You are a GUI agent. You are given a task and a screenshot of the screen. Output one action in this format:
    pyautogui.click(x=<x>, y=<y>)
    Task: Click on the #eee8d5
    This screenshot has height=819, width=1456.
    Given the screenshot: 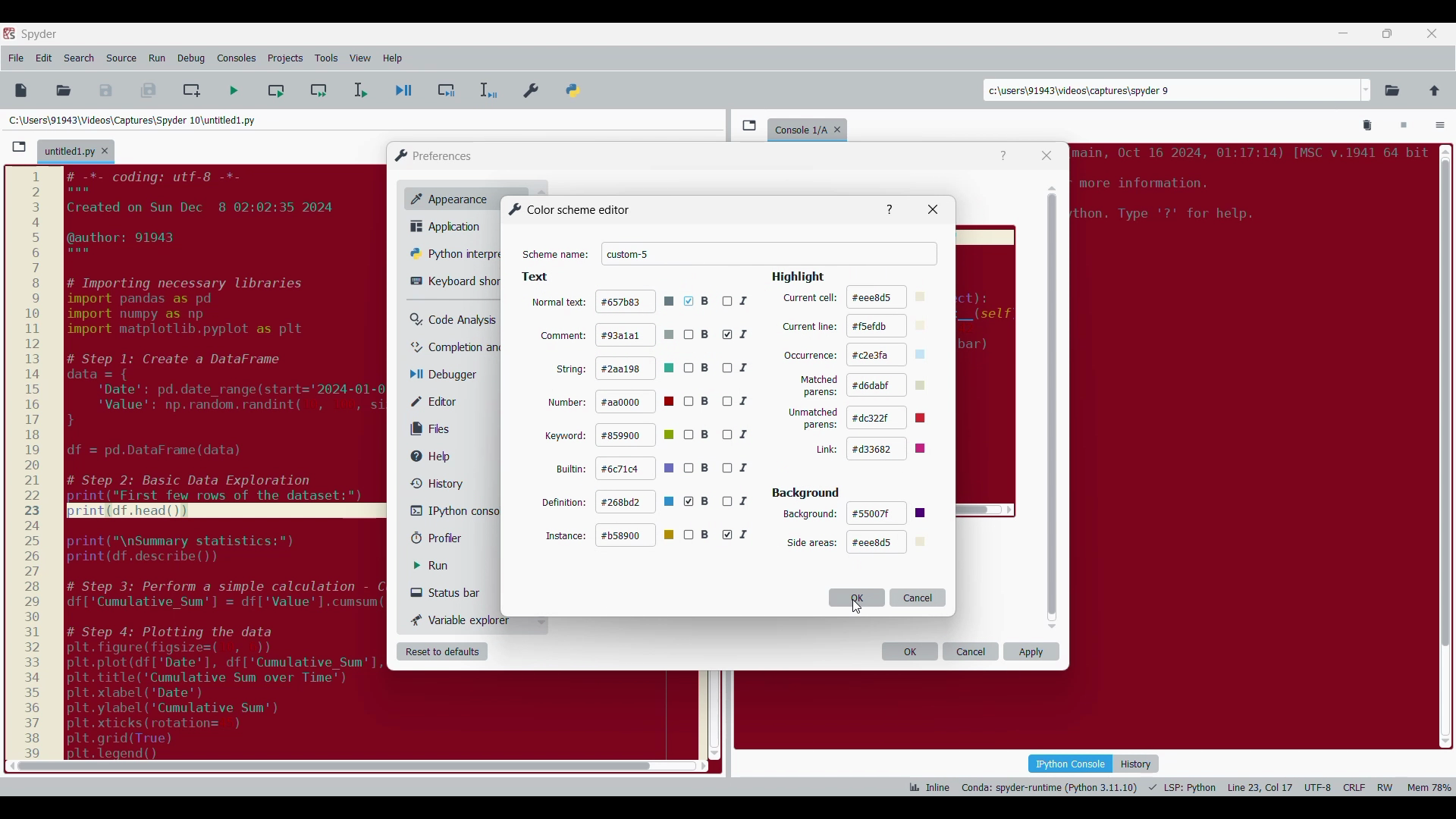 What is the action you would take?
    pyautogui.click(x=888, y=296)
    